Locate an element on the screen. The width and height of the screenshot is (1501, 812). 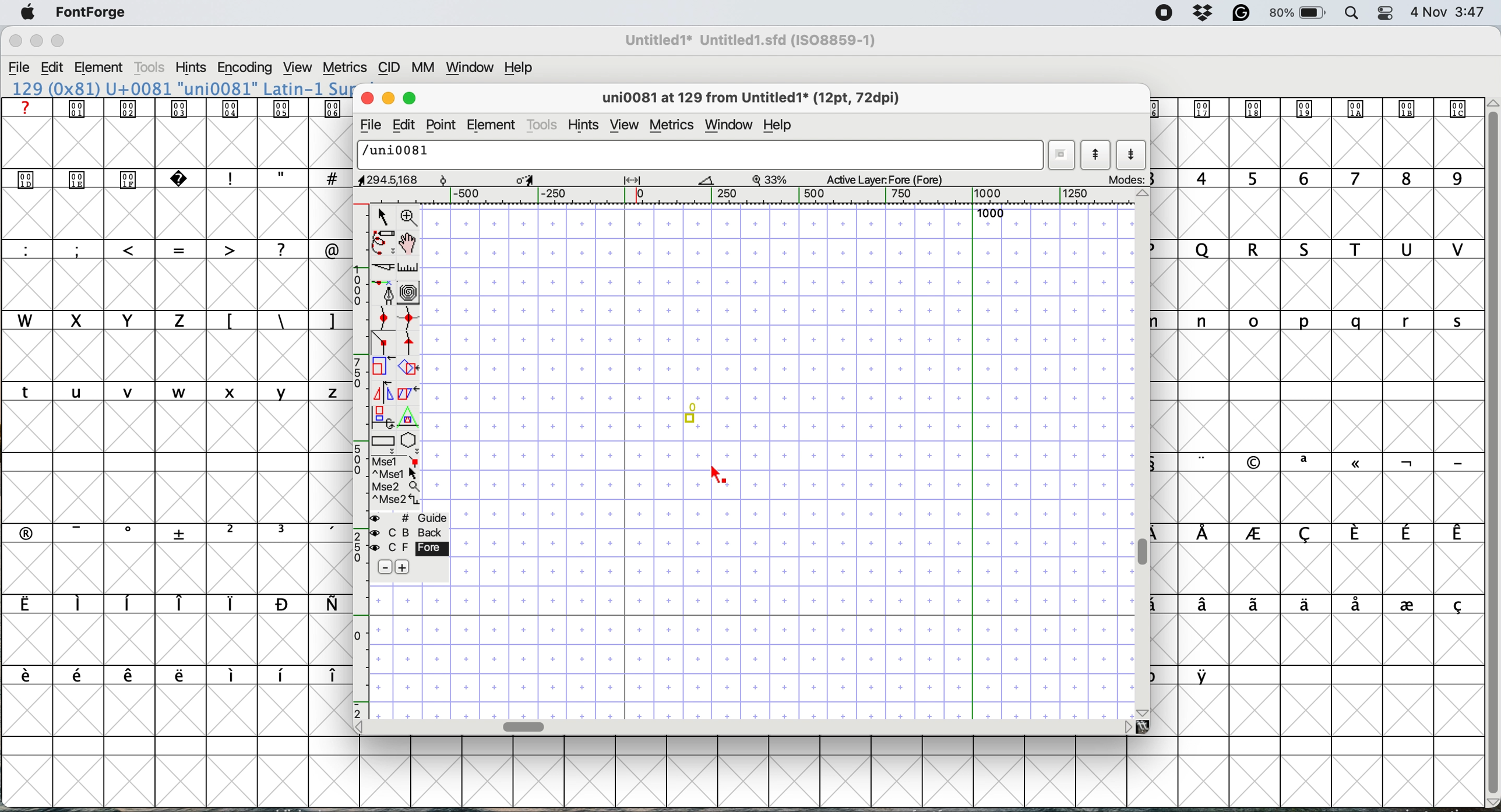
Width/Spacing Tool is located at coordinates (632, 179).